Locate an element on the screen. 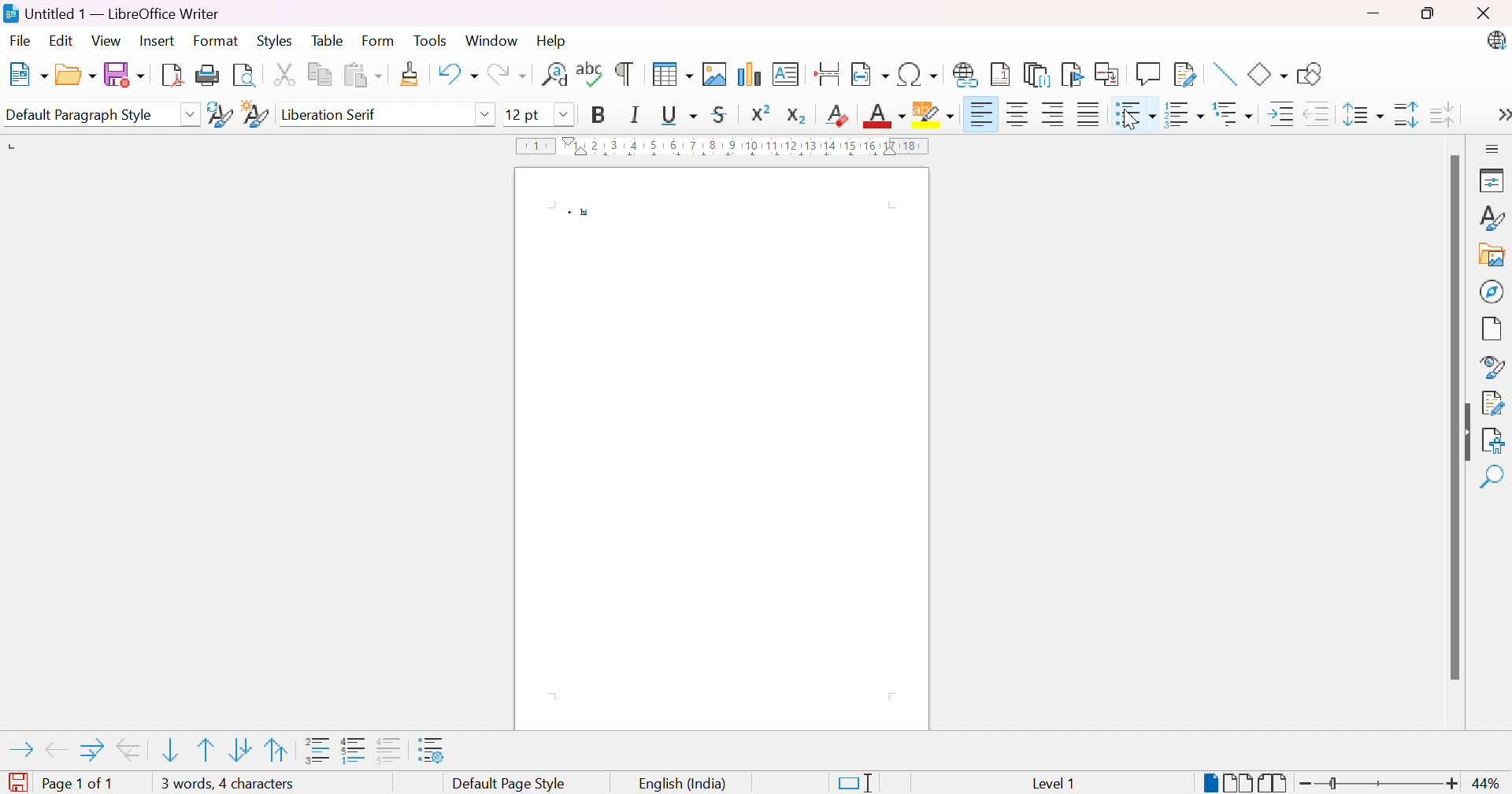 The width and height of the screenshot is (1512, 794). Open is located at coordinates (75, 76).